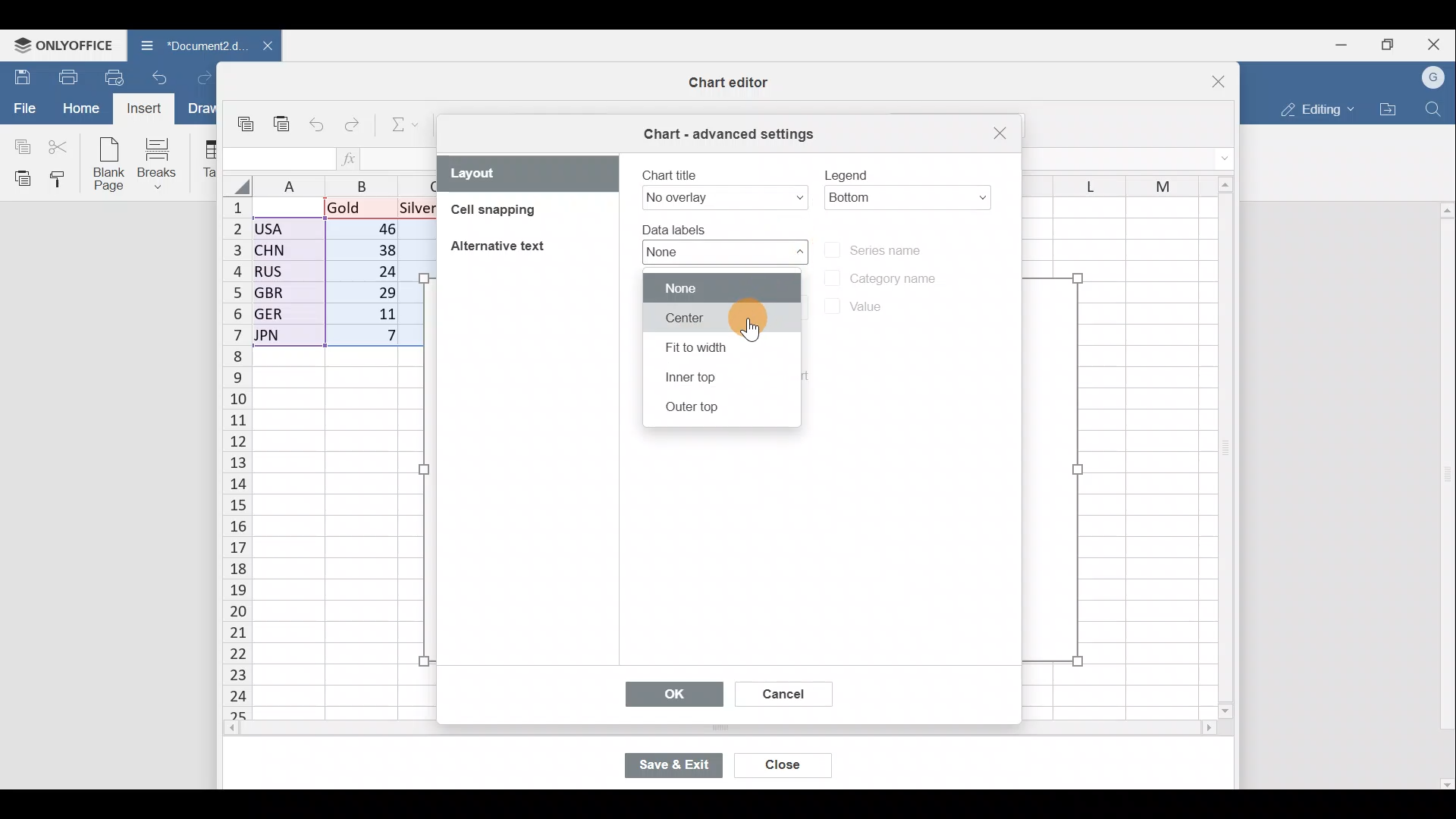 Image resolution: width=1456 pixels, height=819 pixels. I want to click on Close, so click(786, 767).